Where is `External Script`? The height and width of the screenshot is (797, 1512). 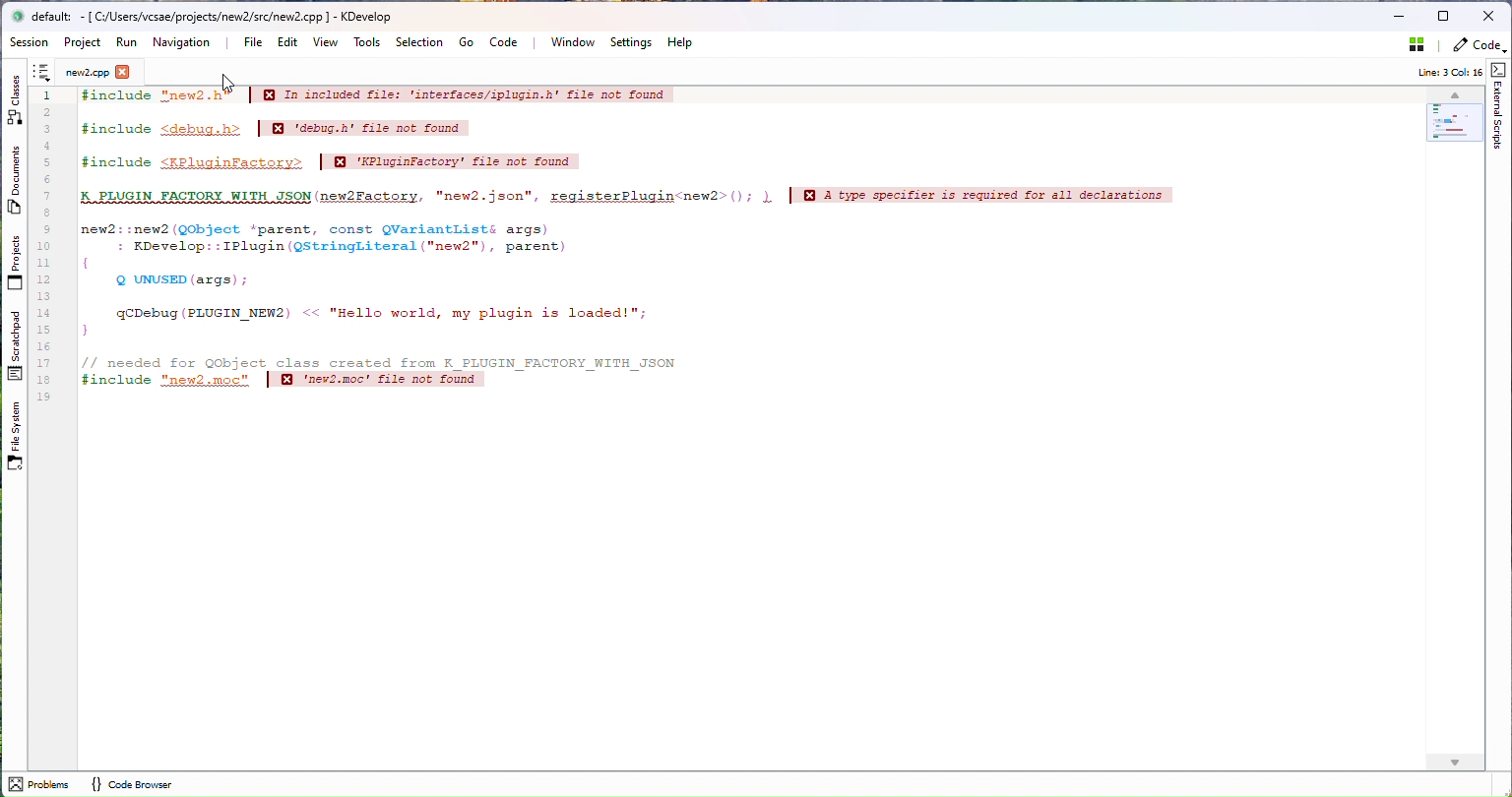
External Script is located at coordinates (1497, 106).